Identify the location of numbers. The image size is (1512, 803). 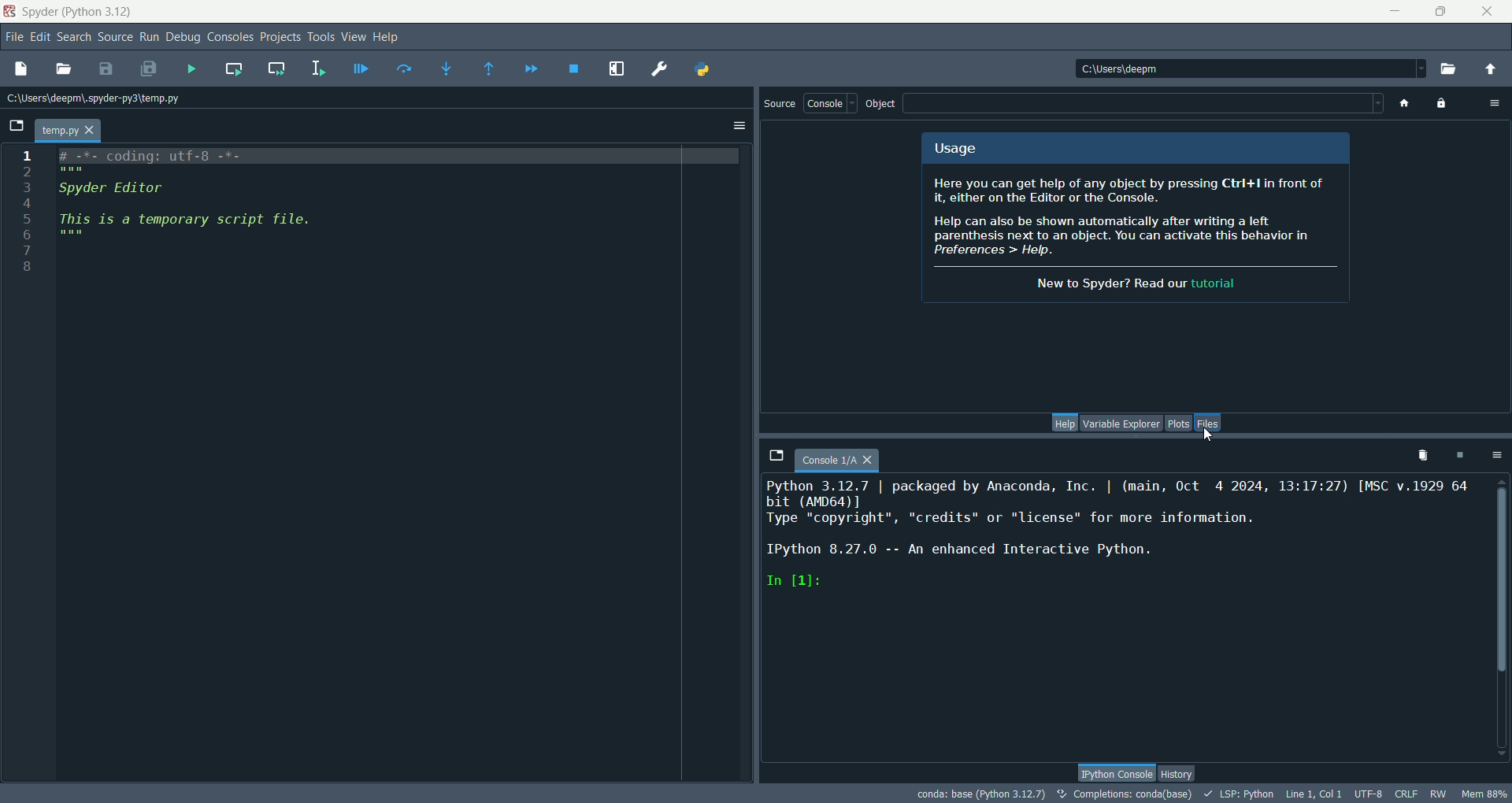
(29, 216).